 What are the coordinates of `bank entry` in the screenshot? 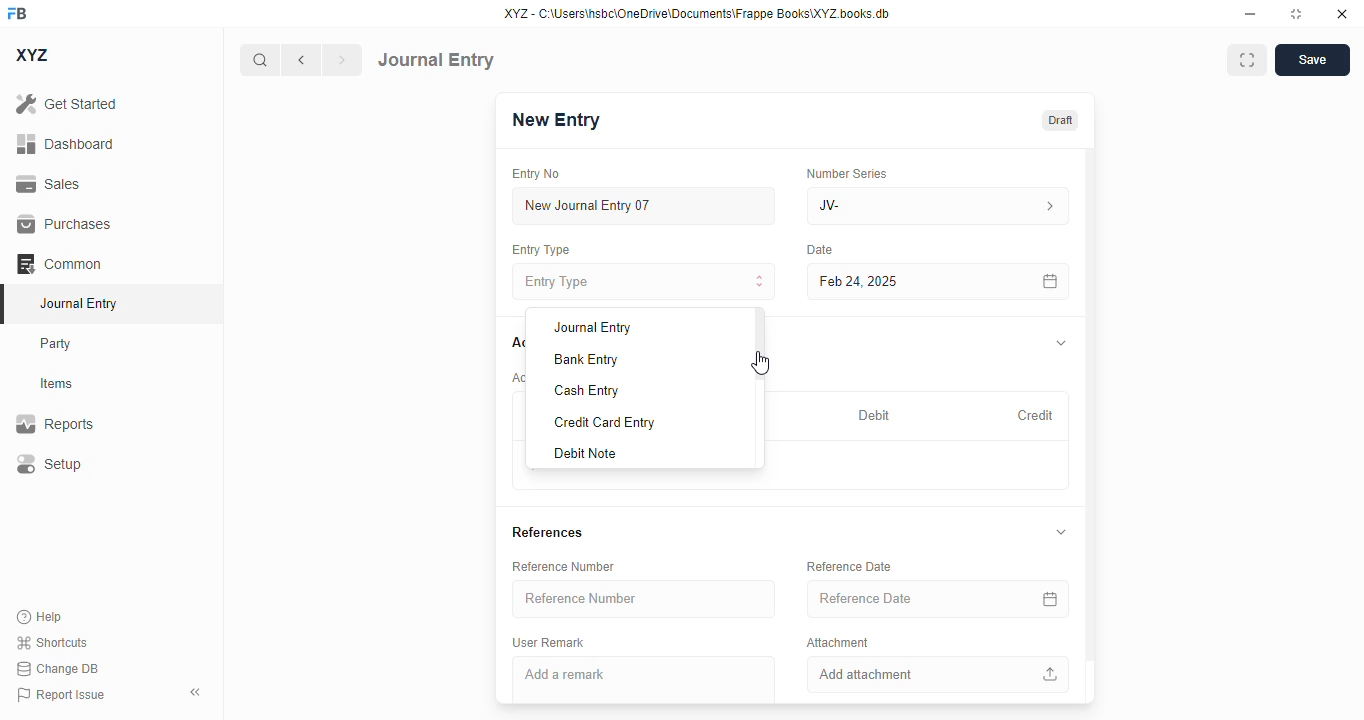 It's located at (586, 359).